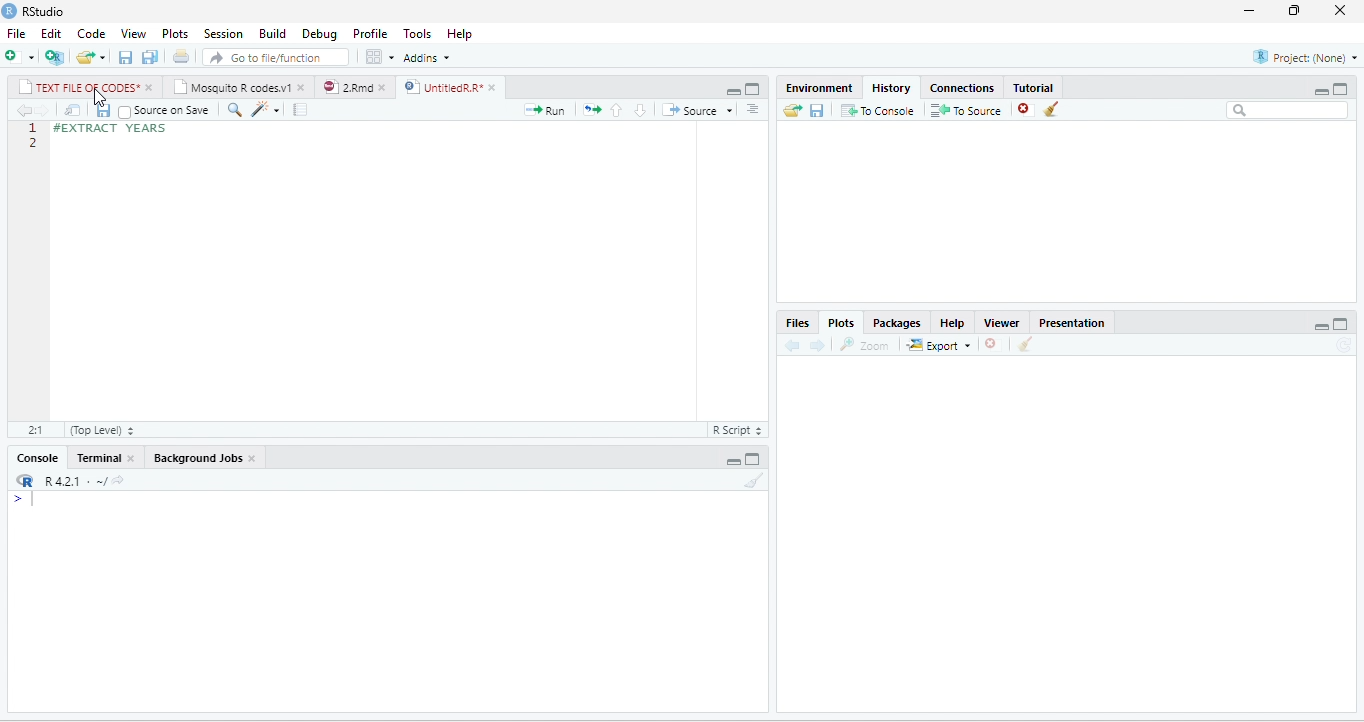 The height and width of the screenshot is (722, 1364). What do you see at coordinates (265, 109) in the screenshot?
I see `code tools` at bounding box center [265, 109].